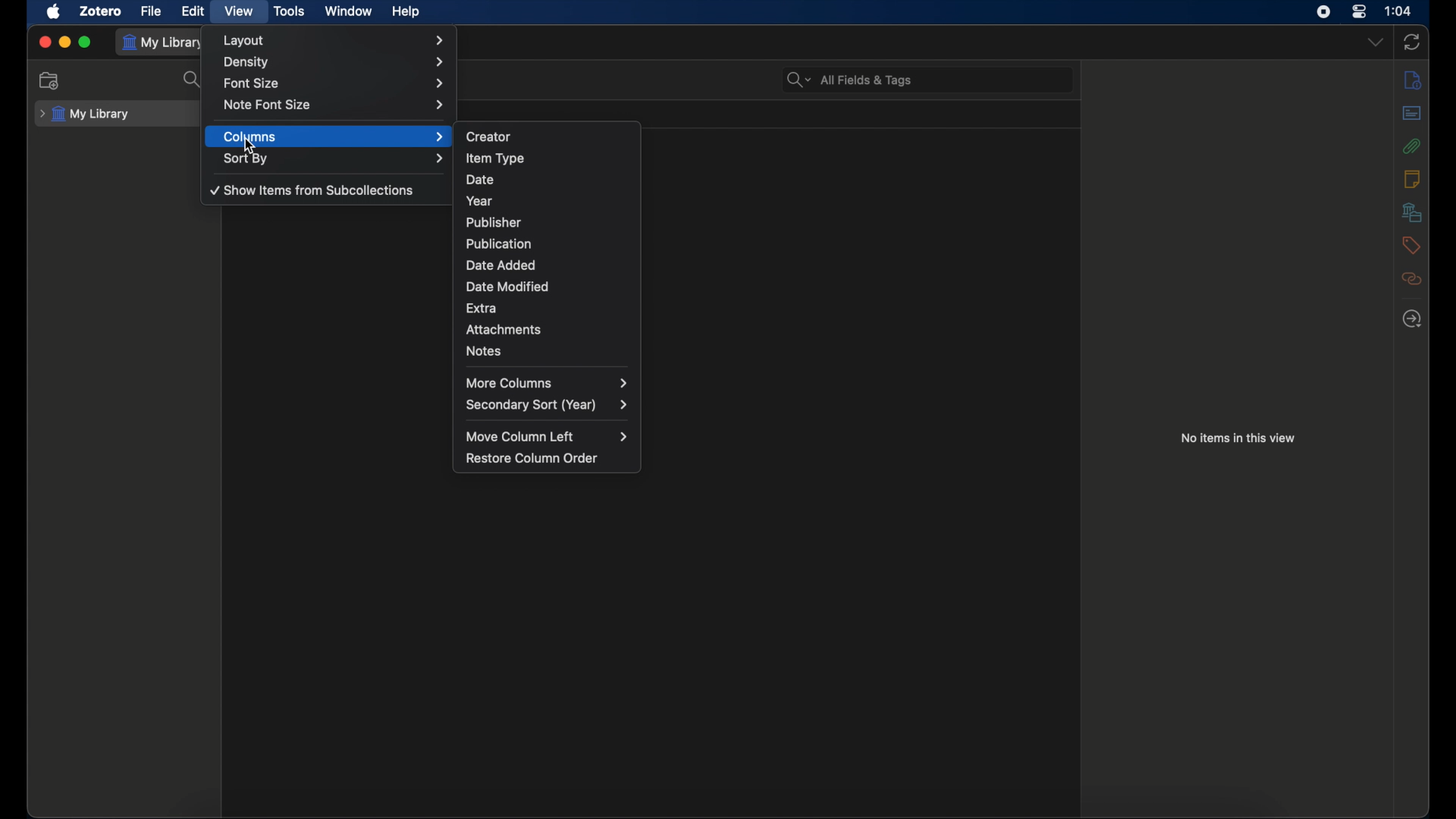 The width and height of the screenshot is (1456, 819). What do you see at coordinates (484, 350) in the screenshot?
I see `notes` at bounding box center [484, 350].